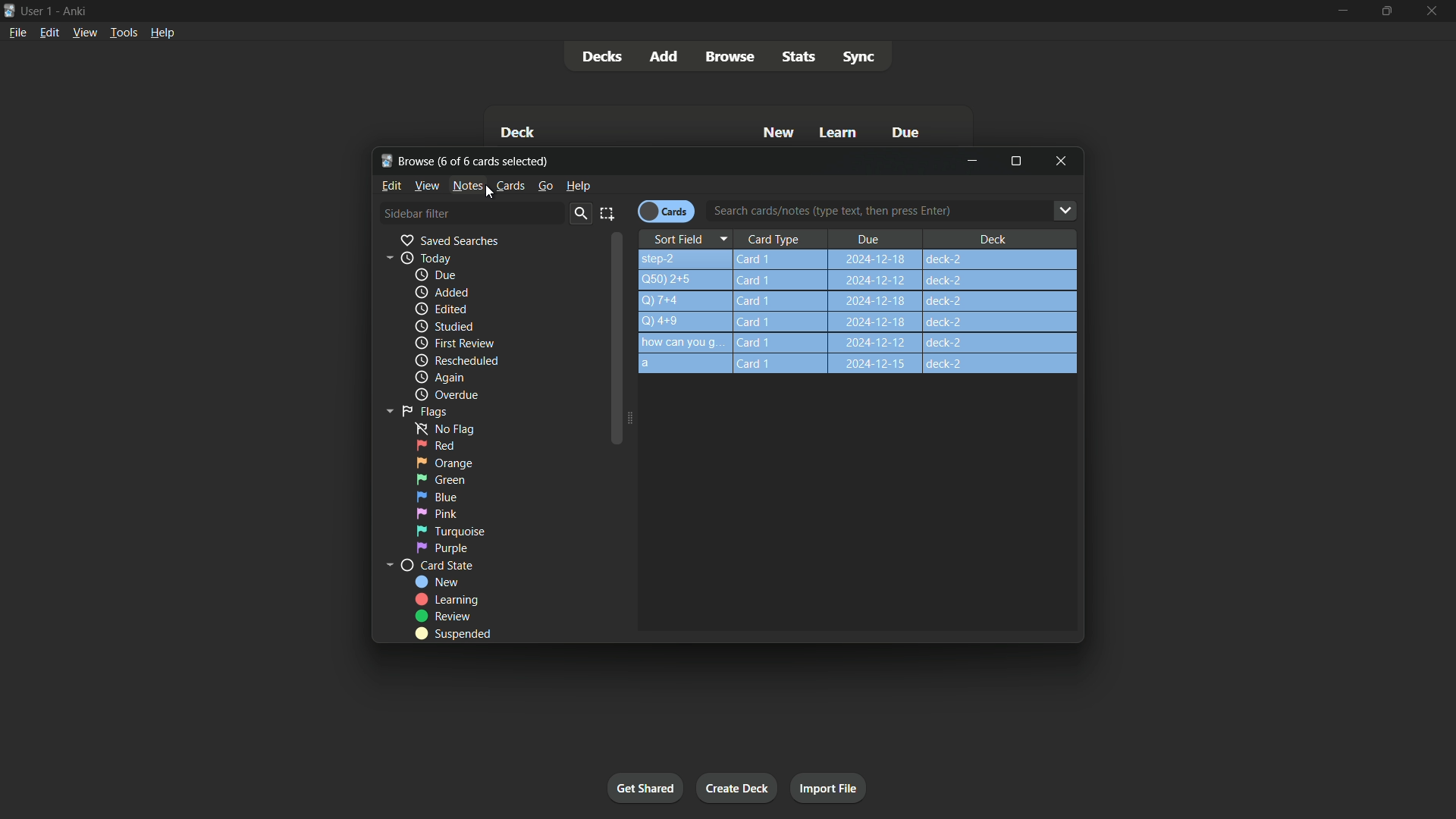  I want to click on User one, so click(37, 11).